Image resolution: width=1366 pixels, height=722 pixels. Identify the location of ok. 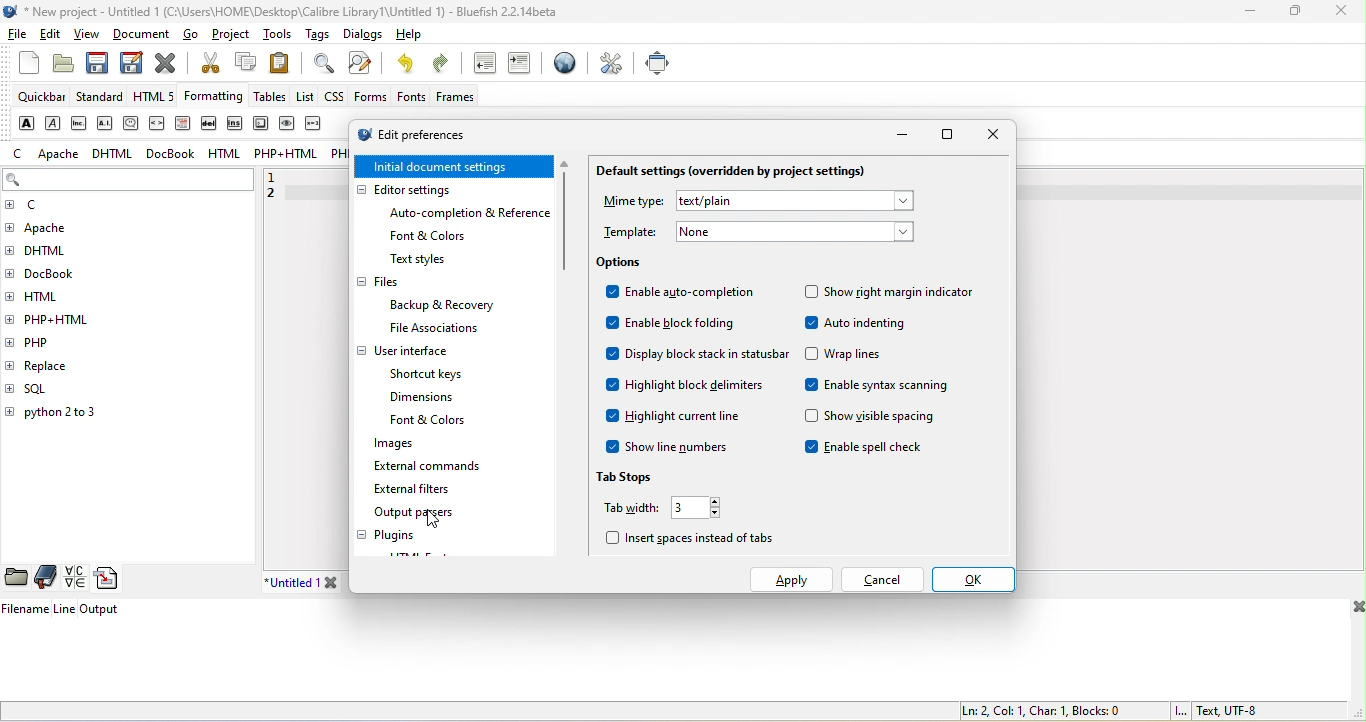
(974, 579).